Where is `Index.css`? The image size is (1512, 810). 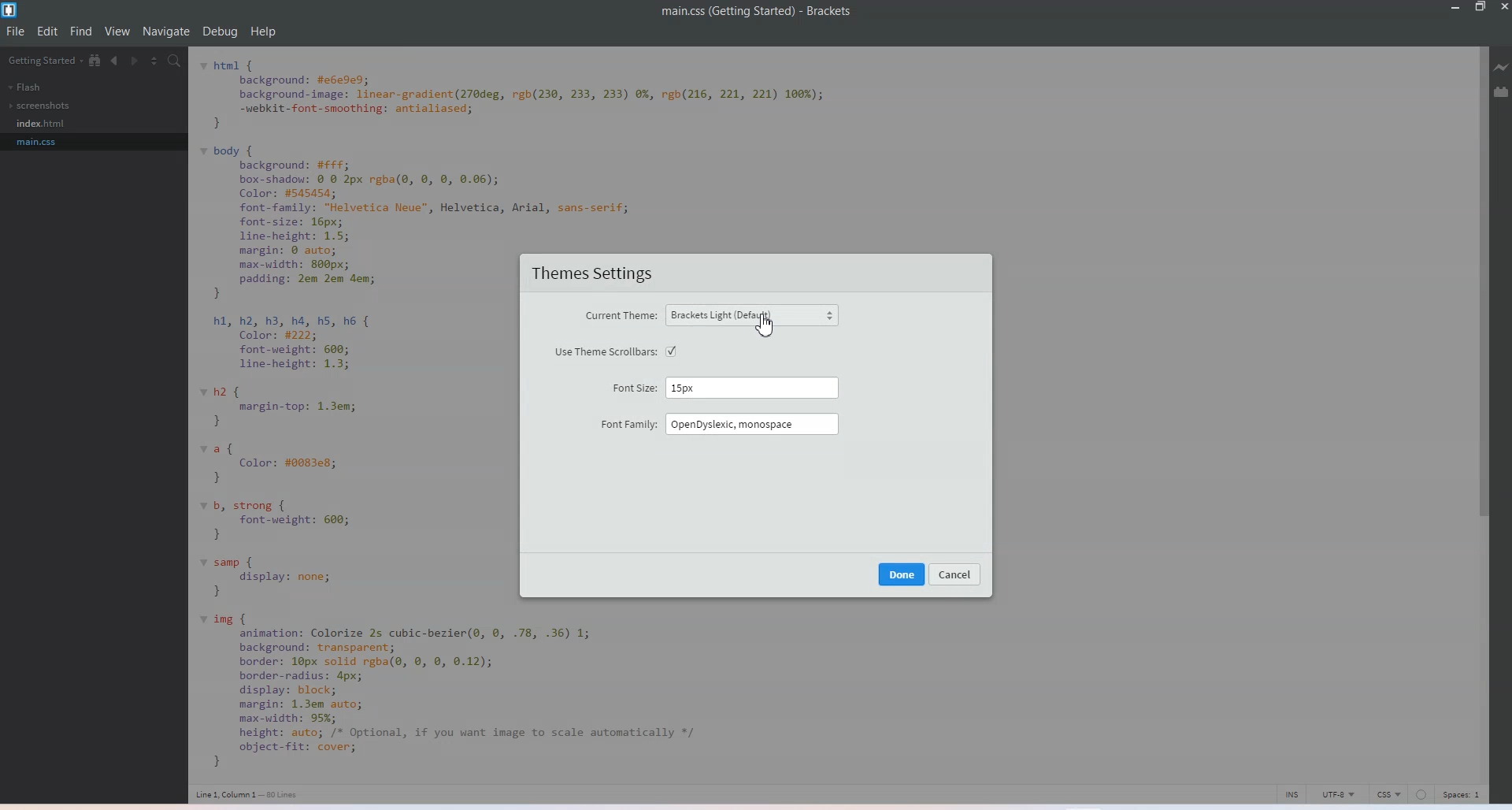
Index.css is located at coordinates (44, 122).